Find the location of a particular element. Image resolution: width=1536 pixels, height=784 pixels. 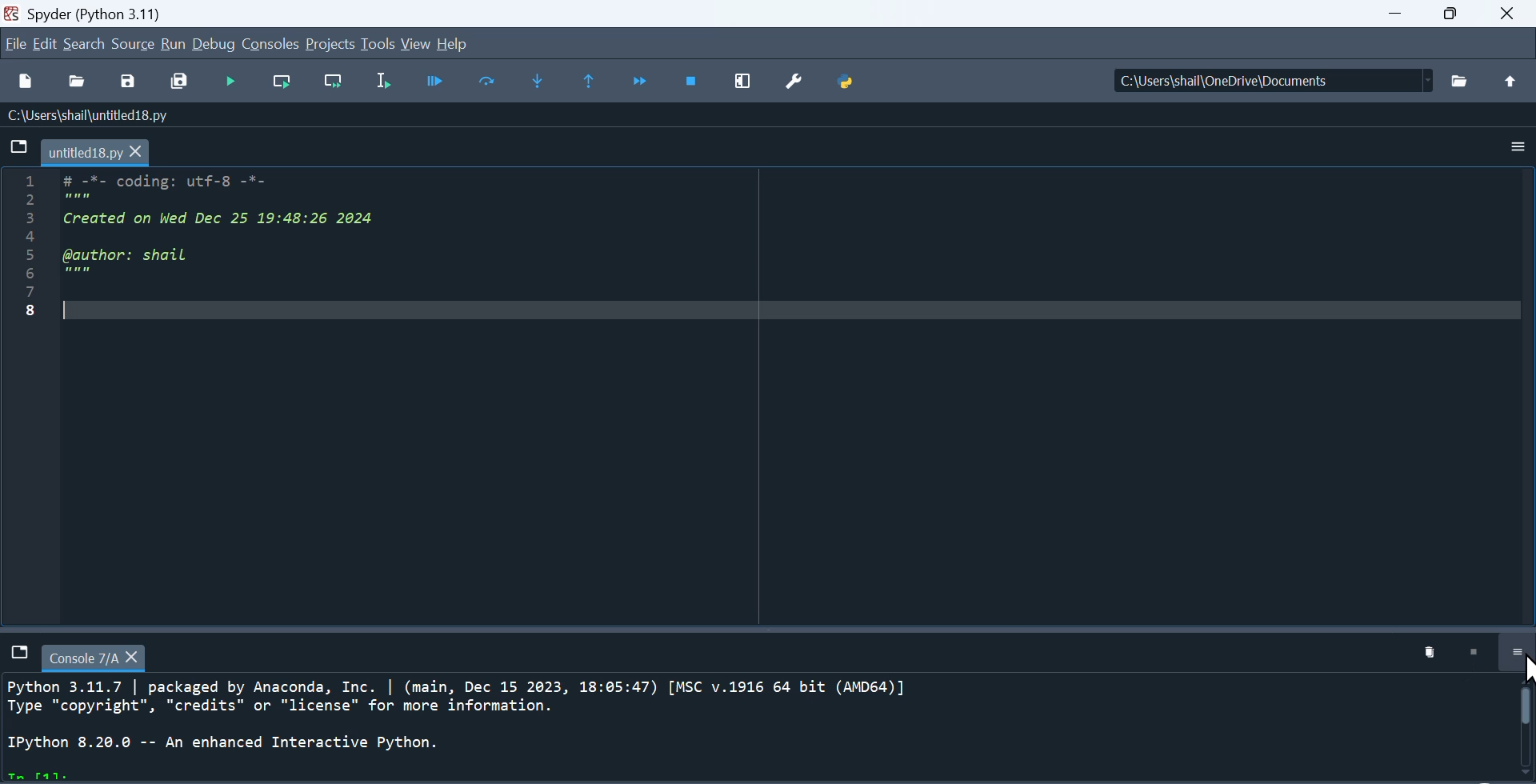

open is located at coordinates (78, 82).